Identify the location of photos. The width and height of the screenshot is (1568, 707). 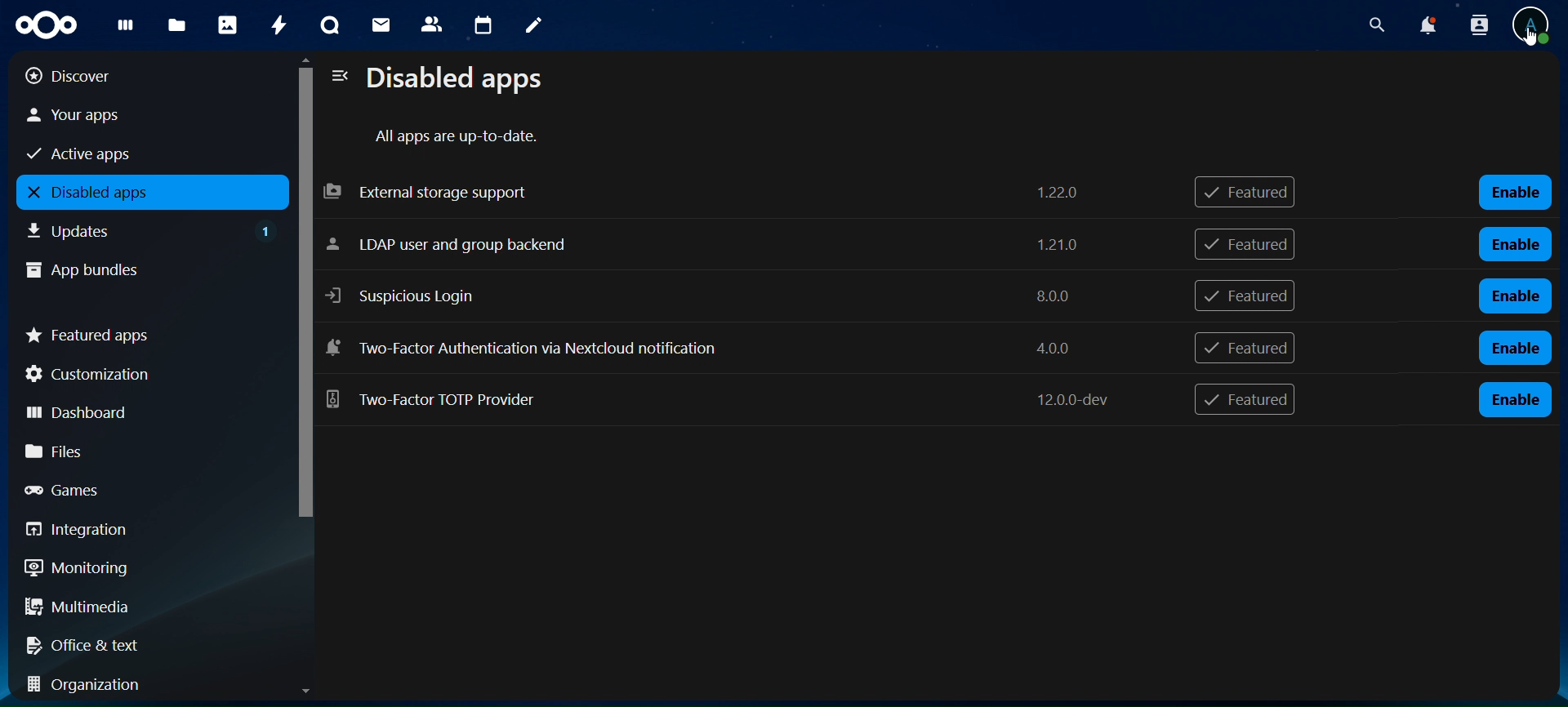
(227, 24).